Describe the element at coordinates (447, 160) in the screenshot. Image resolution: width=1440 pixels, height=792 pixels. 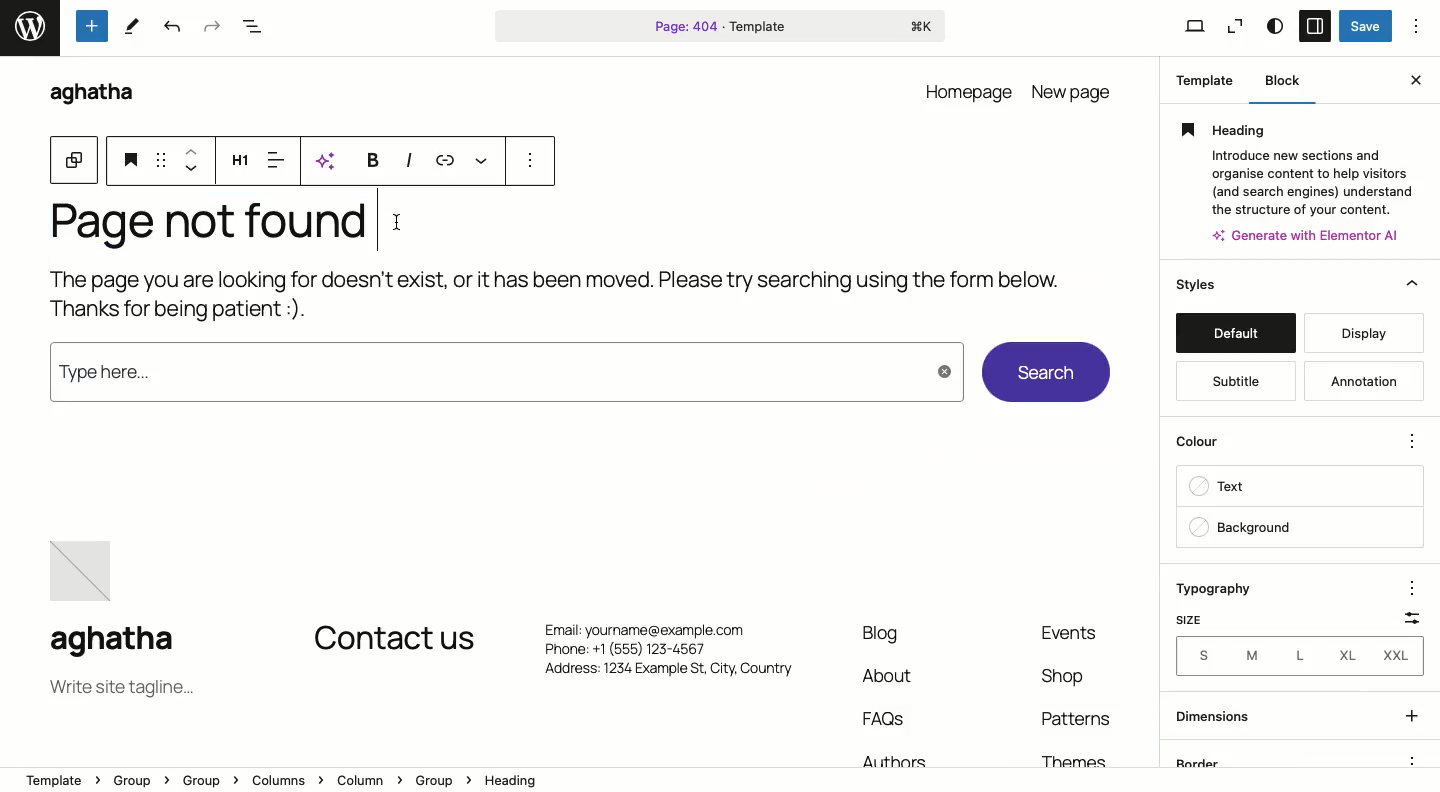
I see `Link` at that location.